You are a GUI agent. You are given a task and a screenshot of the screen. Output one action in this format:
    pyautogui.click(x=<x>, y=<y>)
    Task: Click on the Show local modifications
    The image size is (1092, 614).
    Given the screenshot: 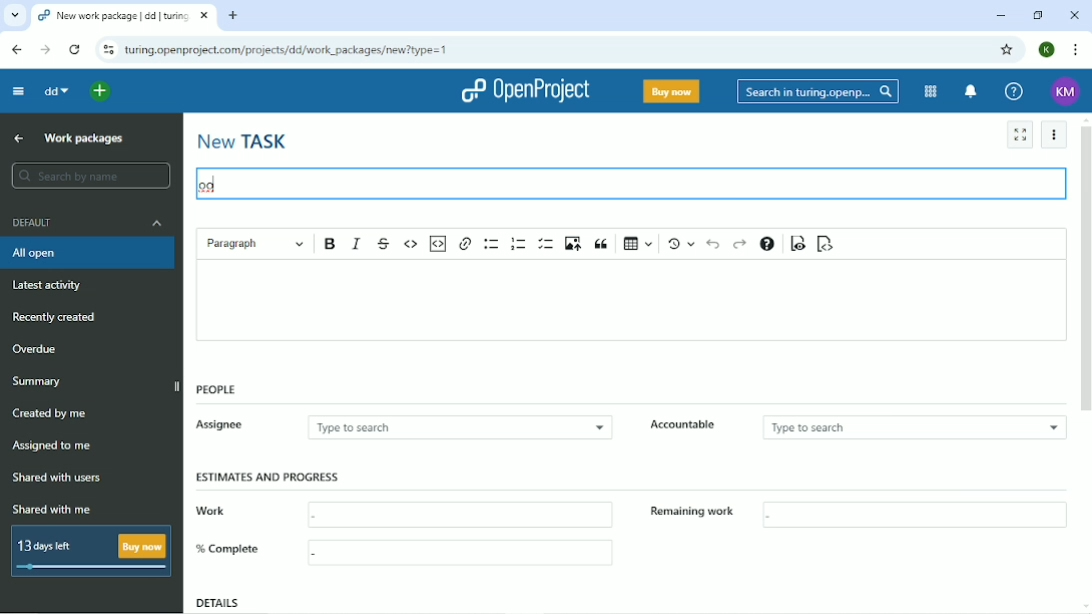 What is the action you would take?
    pyautogui.click(x=678, y=244)
    